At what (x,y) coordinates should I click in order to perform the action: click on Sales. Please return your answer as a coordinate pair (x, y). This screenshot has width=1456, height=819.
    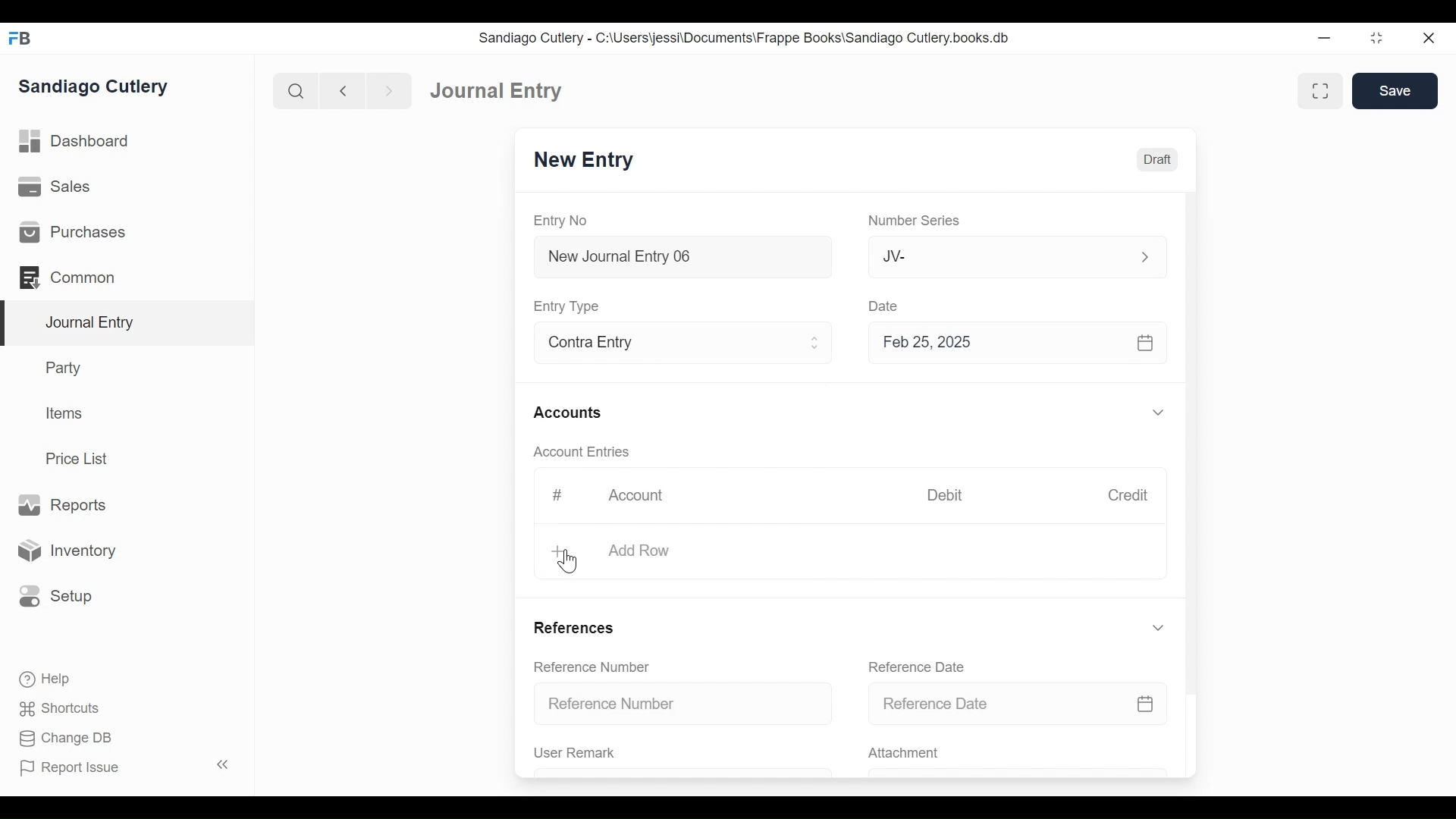
    Looking at the image, I should click on (60, 187).